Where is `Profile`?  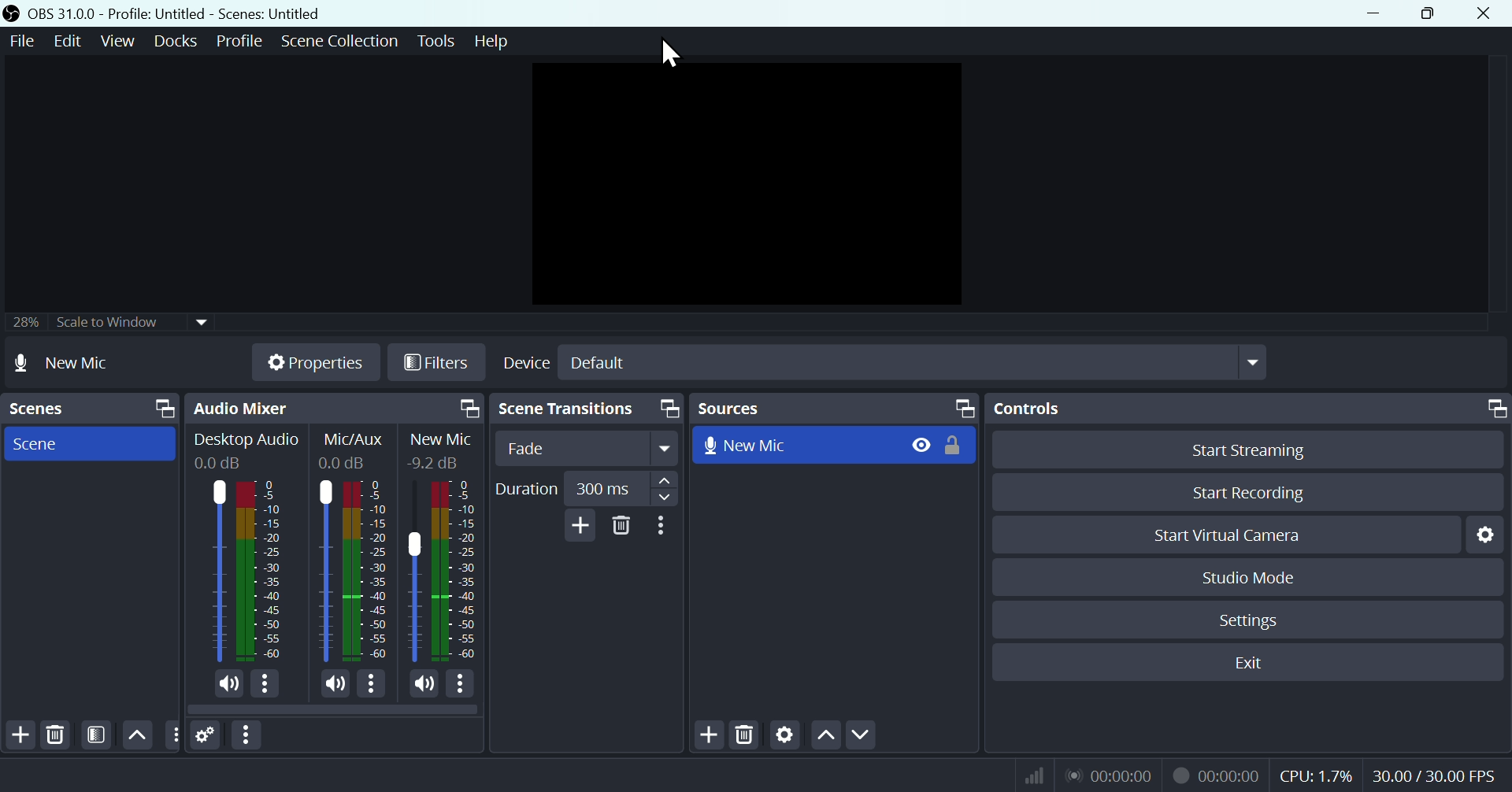
Profile is located at coordinates (239, 41).